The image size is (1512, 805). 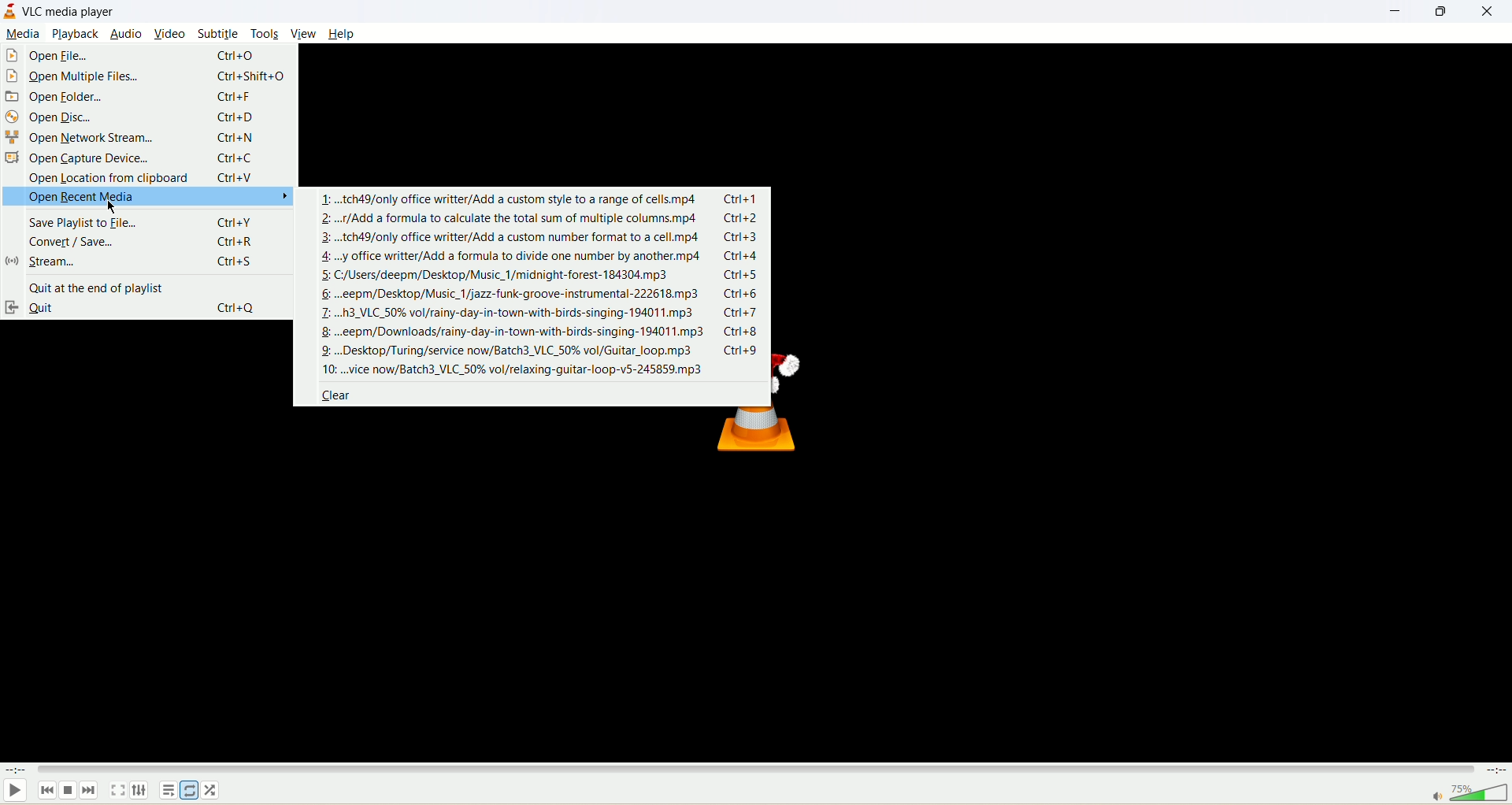 What do you see at coordinates (106, 240) in the screenshot?
I see `convert/save...` at bounding box center [106, 240].